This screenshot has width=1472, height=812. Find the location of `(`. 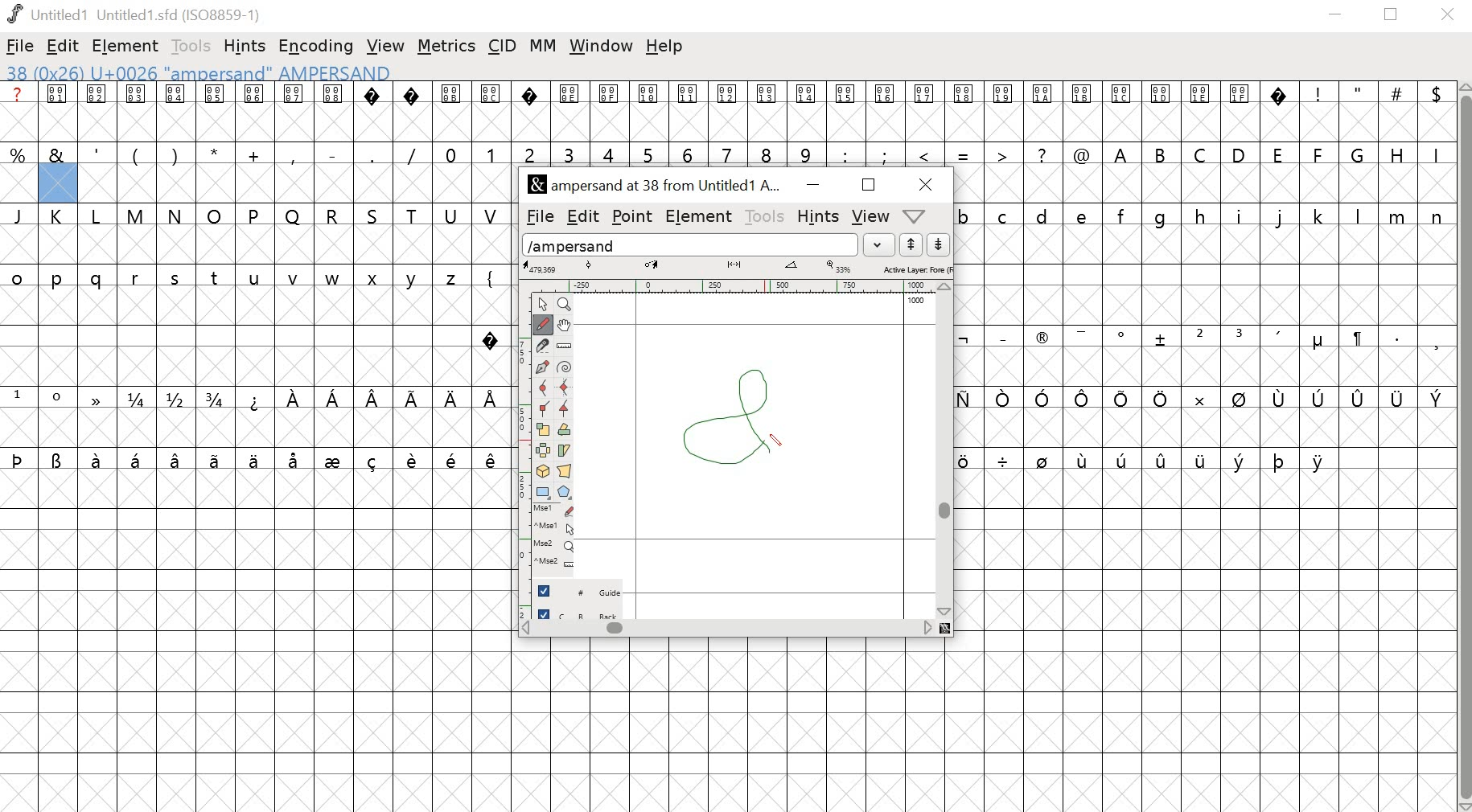

( is located at coordinates (134, 155).